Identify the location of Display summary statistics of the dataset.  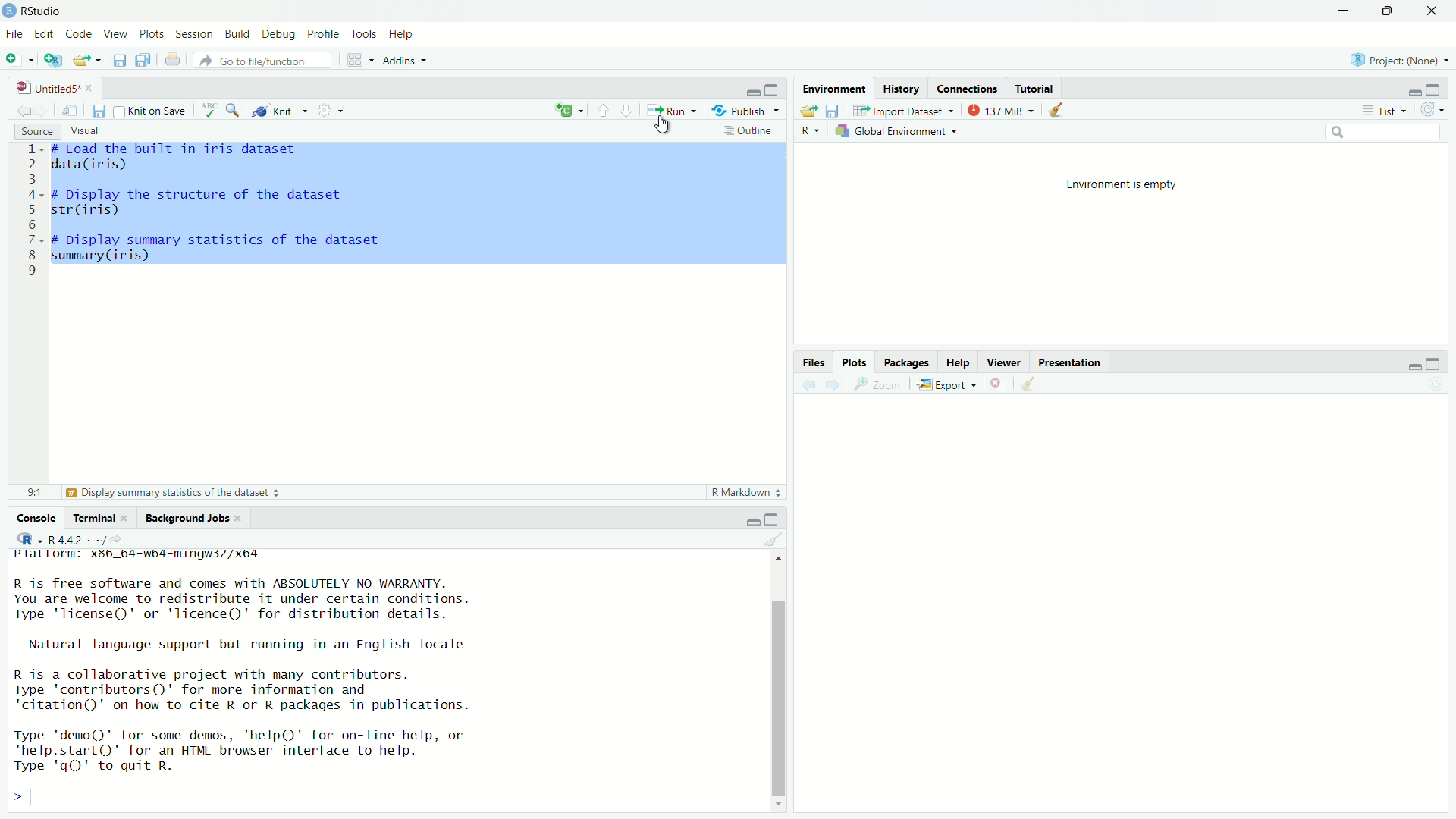
(172, 492).